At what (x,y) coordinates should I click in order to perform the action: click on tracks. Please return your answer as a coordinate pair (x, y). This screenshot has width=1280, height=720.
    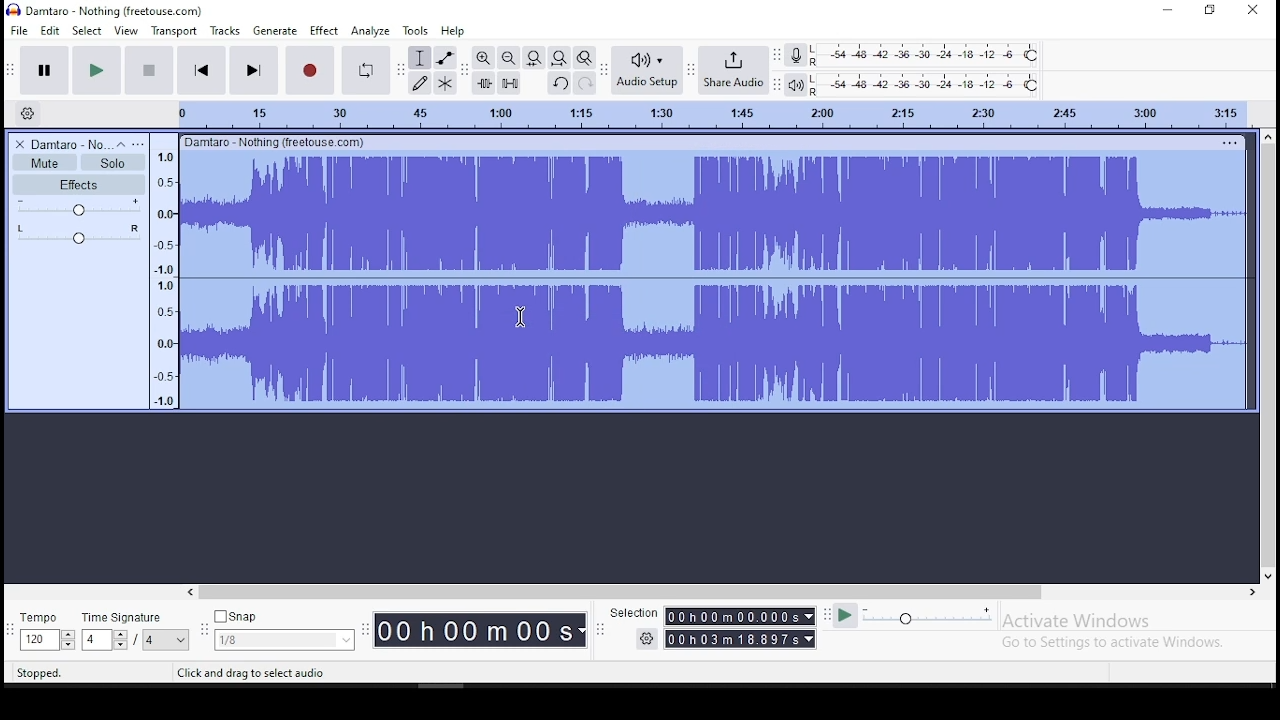
    Looking at the image, I should click on (225, 31).